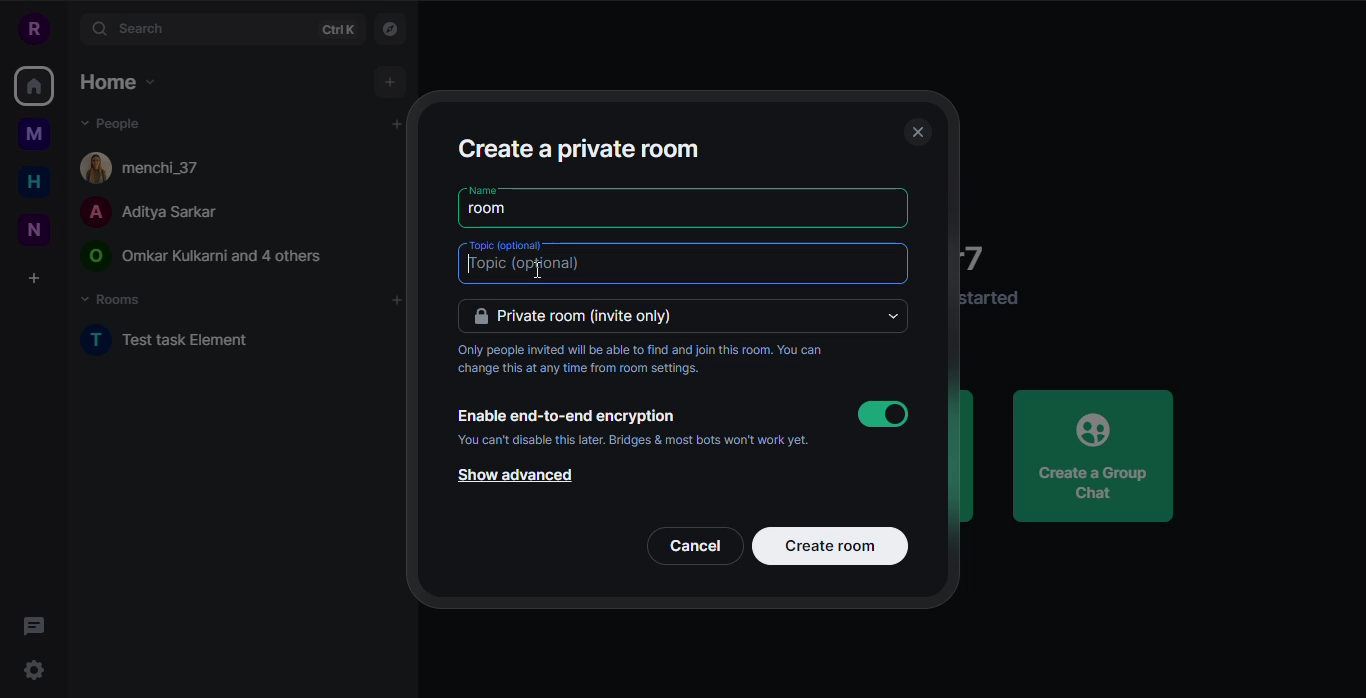 Image resolution: width=1366 pixels, height=698 pixels. What do you see at coordinates (507, 245) in the screenshot?
I see `topic` at bounding box center [507, 245].